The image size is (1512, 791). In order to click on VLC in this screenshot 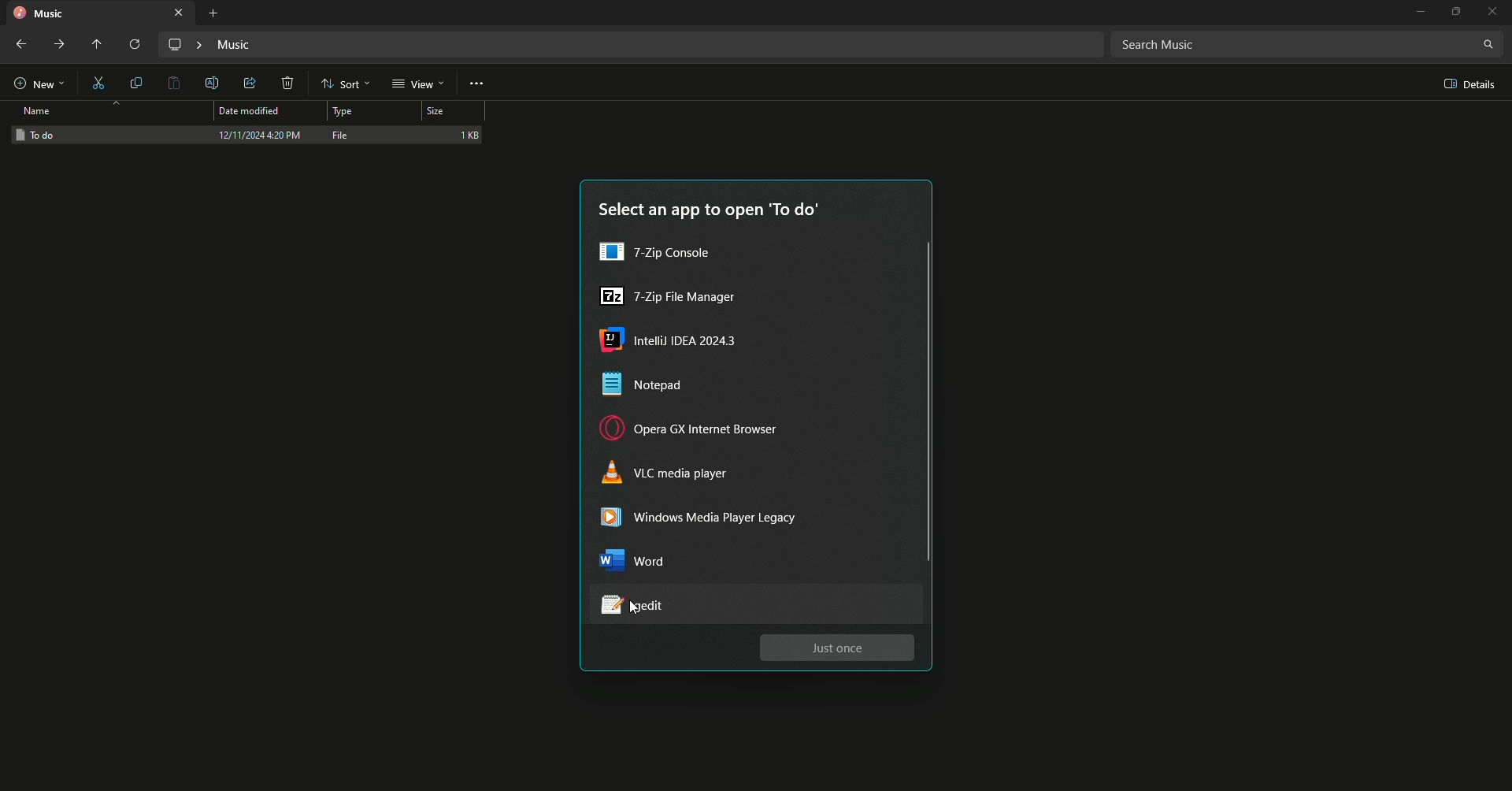, I will do `click(671, 477)`.